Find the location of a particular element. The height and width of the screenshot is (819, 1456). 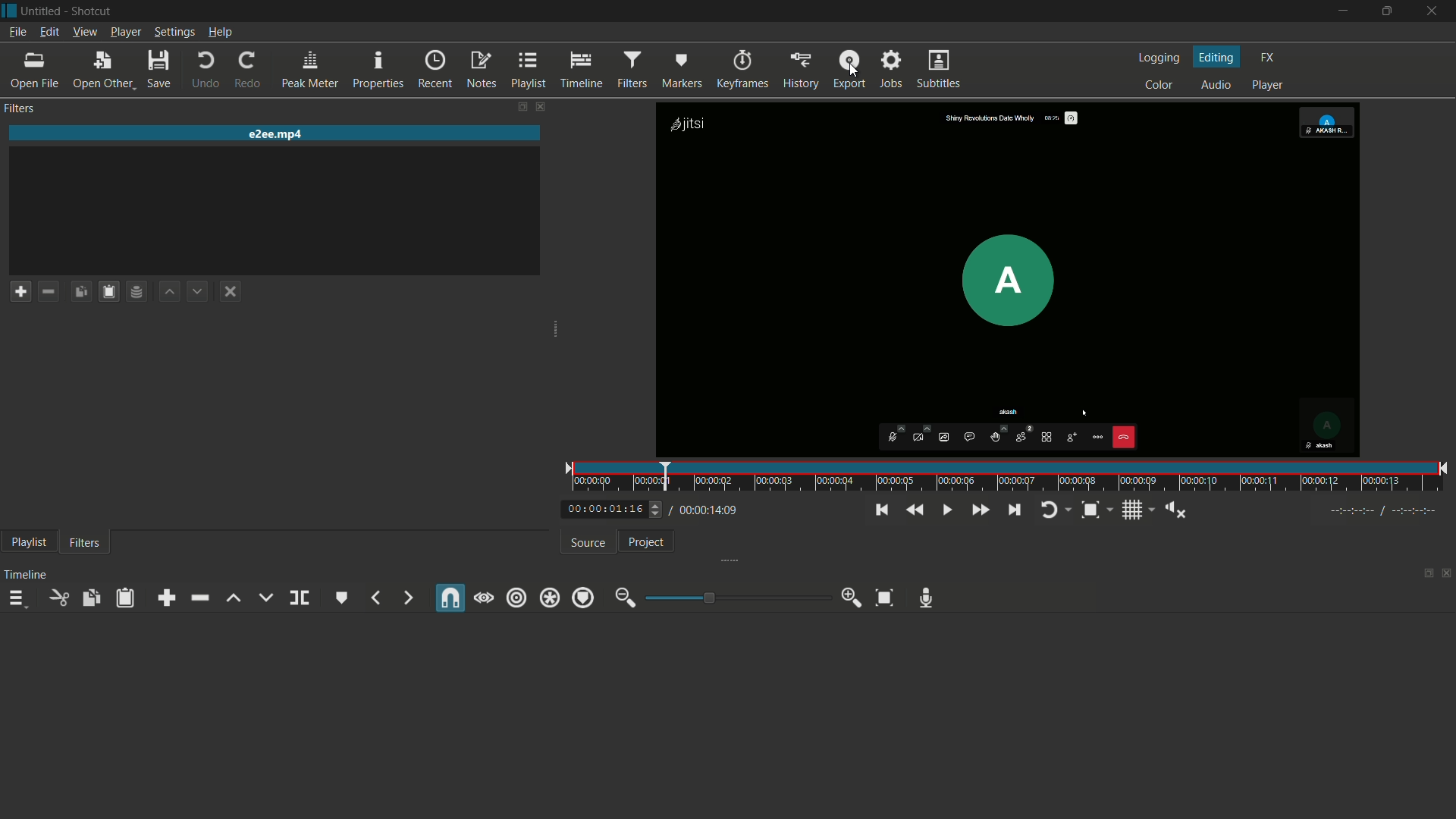

playlist is located at coordinates (527, 71).